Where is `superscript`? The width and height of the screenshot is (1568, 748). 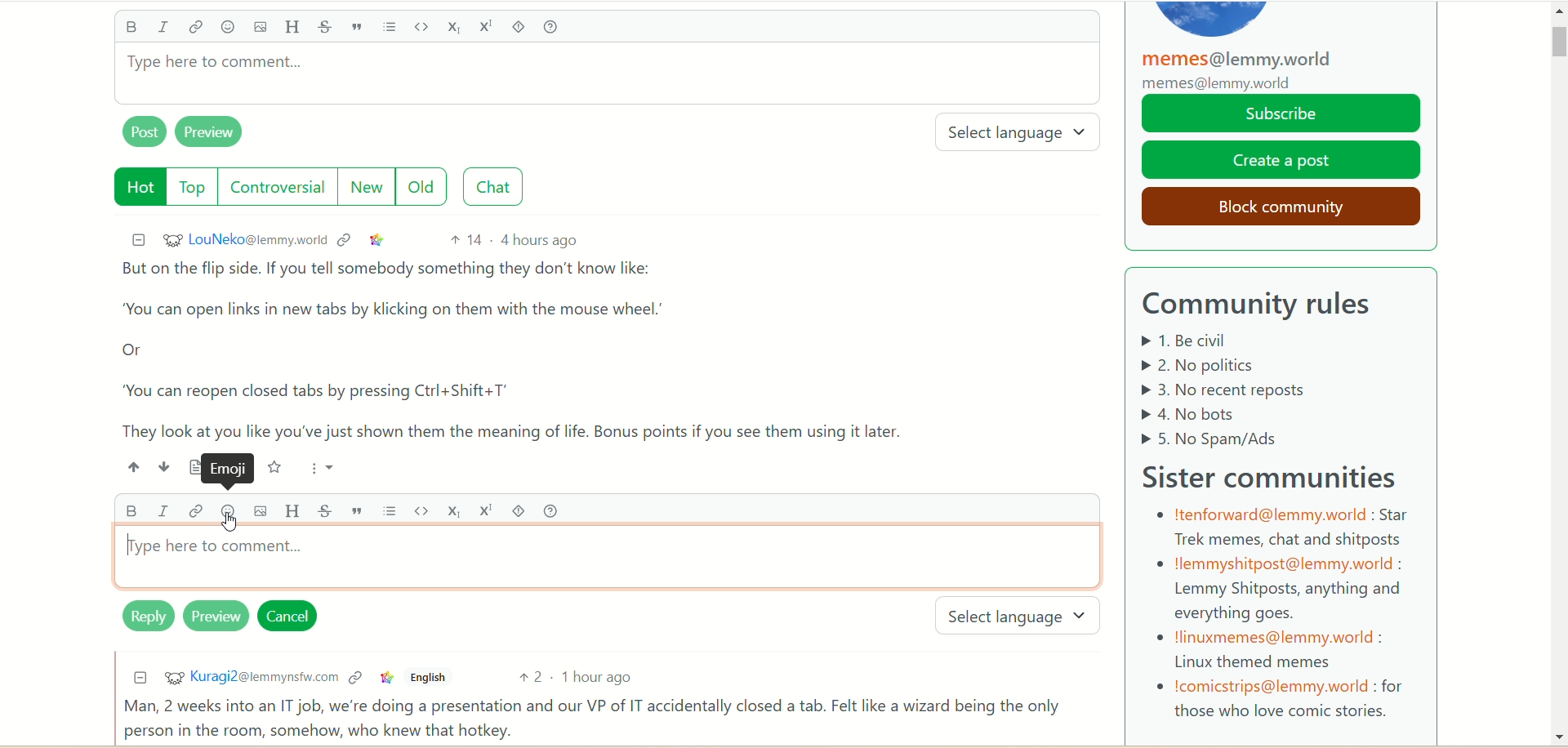 superscript is located at coordinates (487, 24).